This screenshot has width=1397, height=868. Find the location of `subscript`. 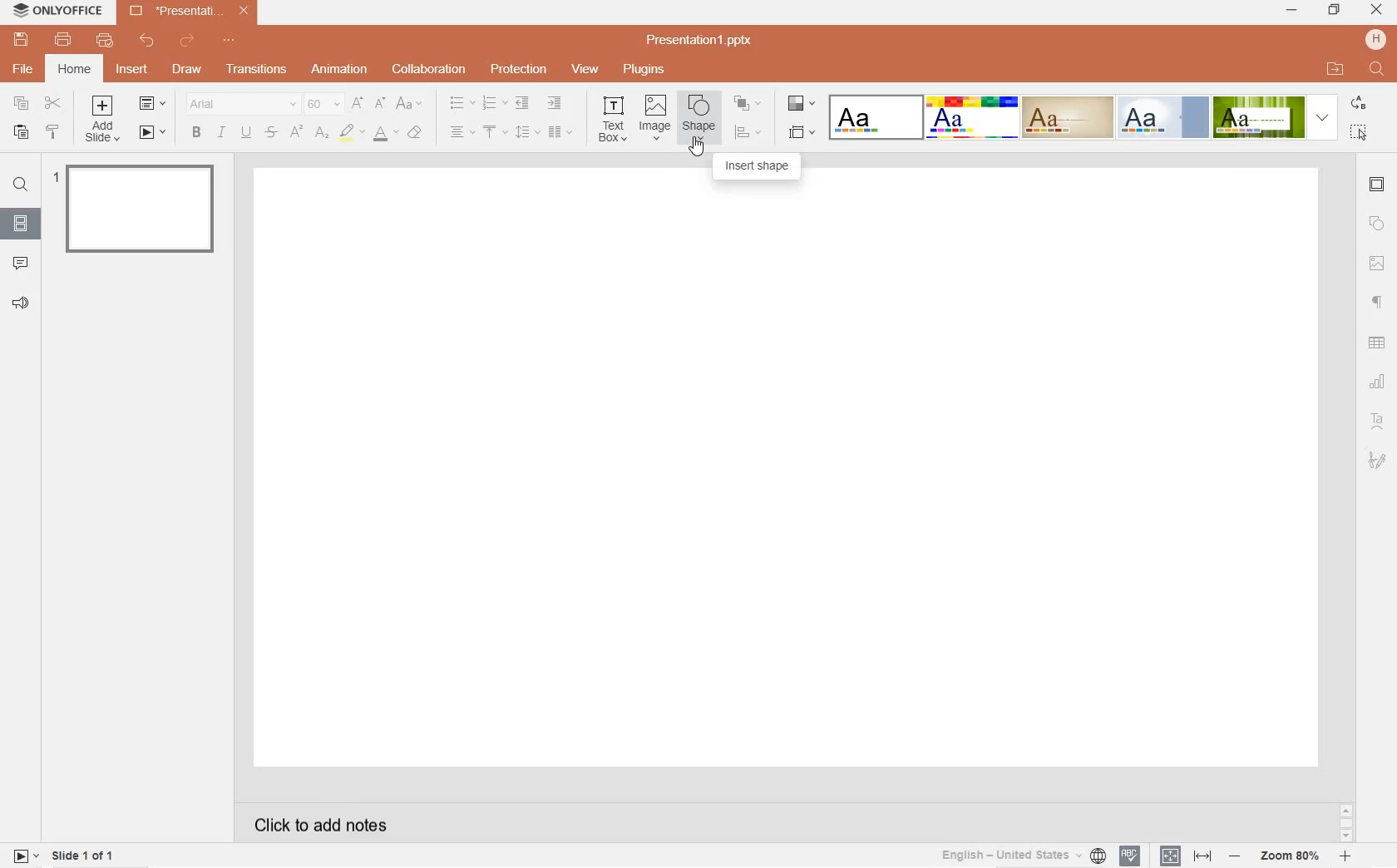

subscript is located at coordinates (323, 133).